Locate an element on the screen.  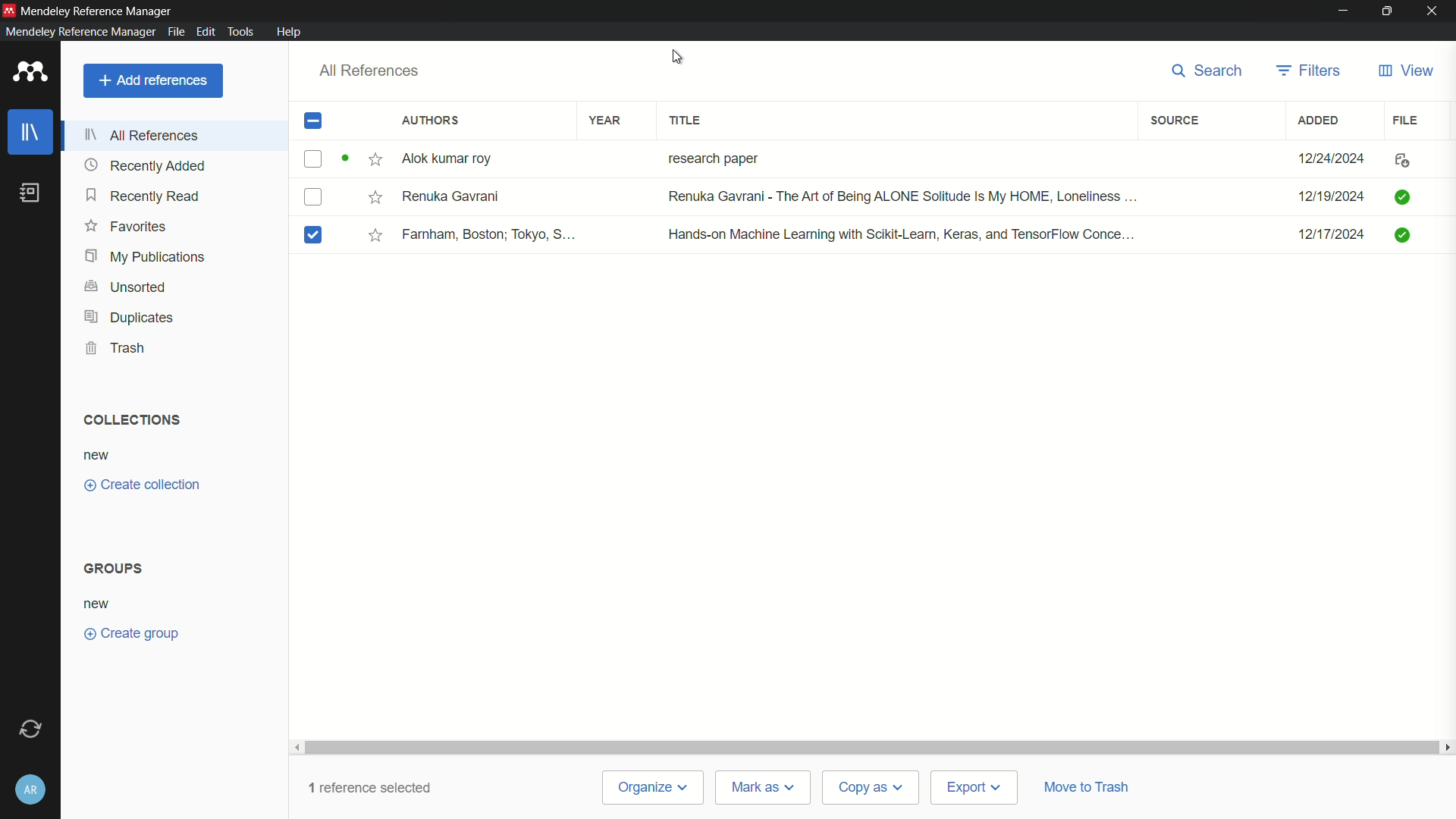
scroll right is located at coordinates (1447, 747).